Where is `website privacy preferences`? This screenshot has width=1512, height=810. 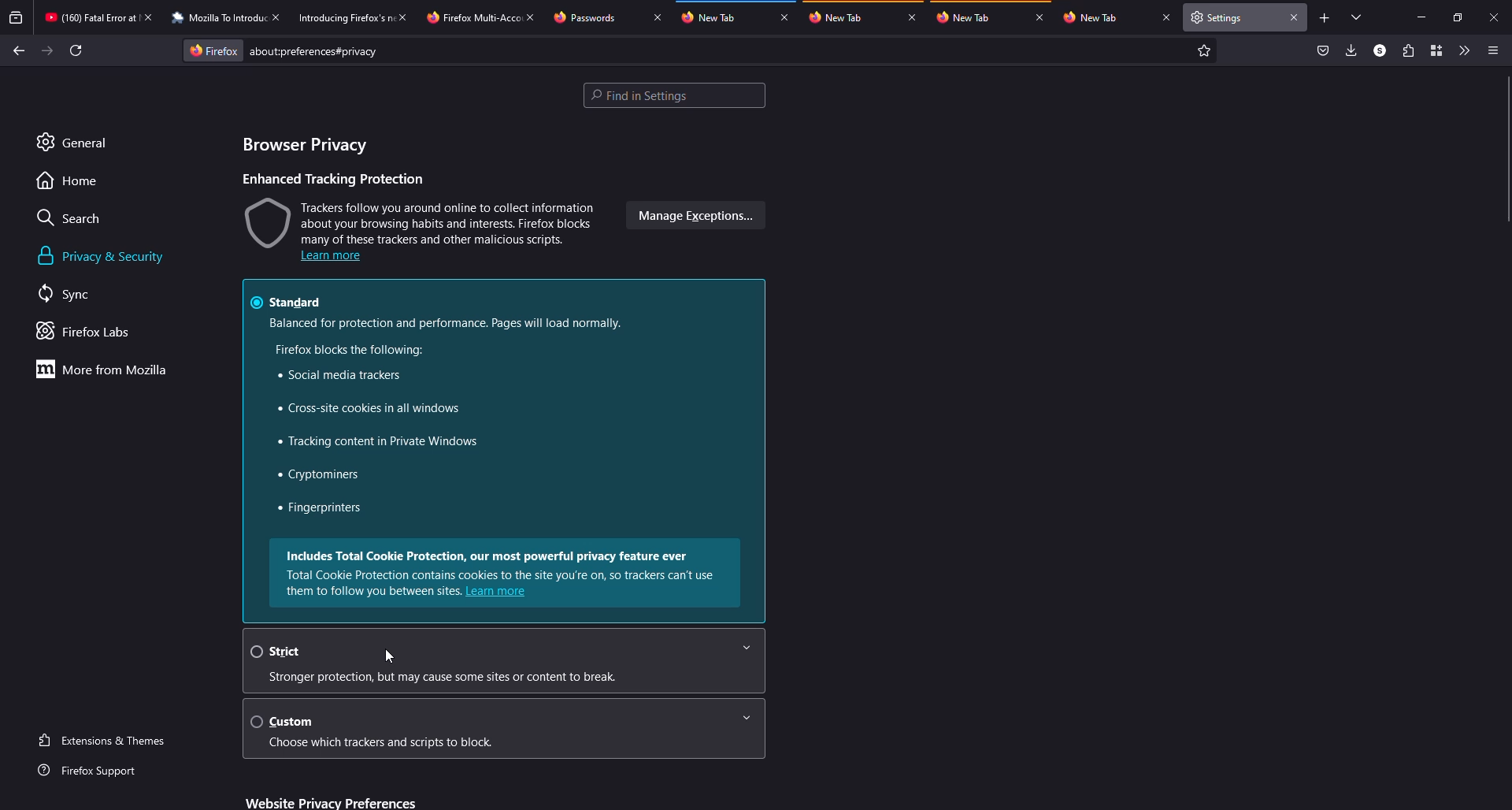
website privacy preferences is located at coordinates (331, 801).